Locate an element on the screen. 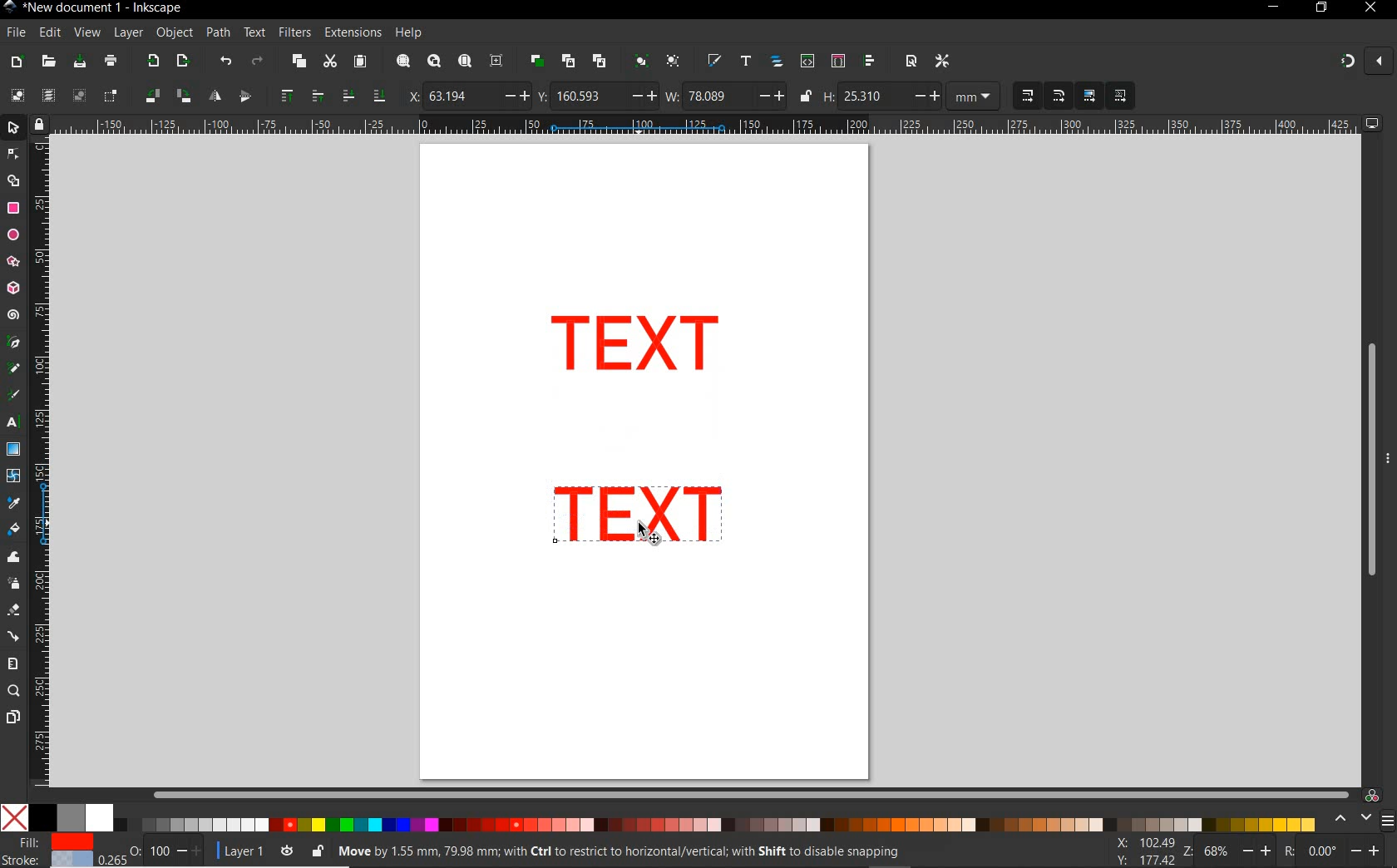 This screenshot has width=1397, height=868. pages tool is located at coordinates (12, 718).